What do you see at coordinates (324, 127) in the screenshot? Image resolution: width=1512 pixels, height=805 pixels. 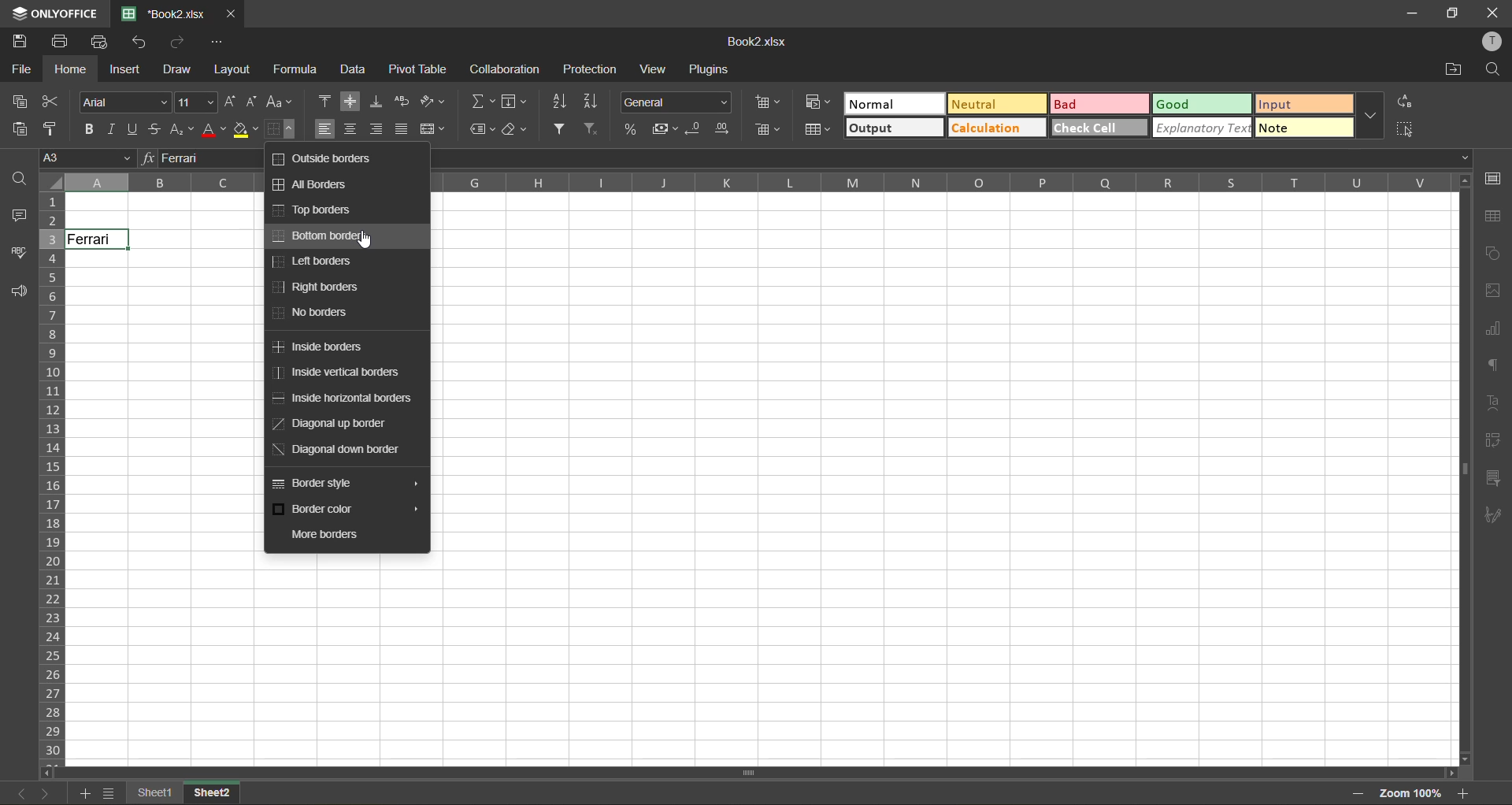 I see `align left` at bounding box center [324, 127].